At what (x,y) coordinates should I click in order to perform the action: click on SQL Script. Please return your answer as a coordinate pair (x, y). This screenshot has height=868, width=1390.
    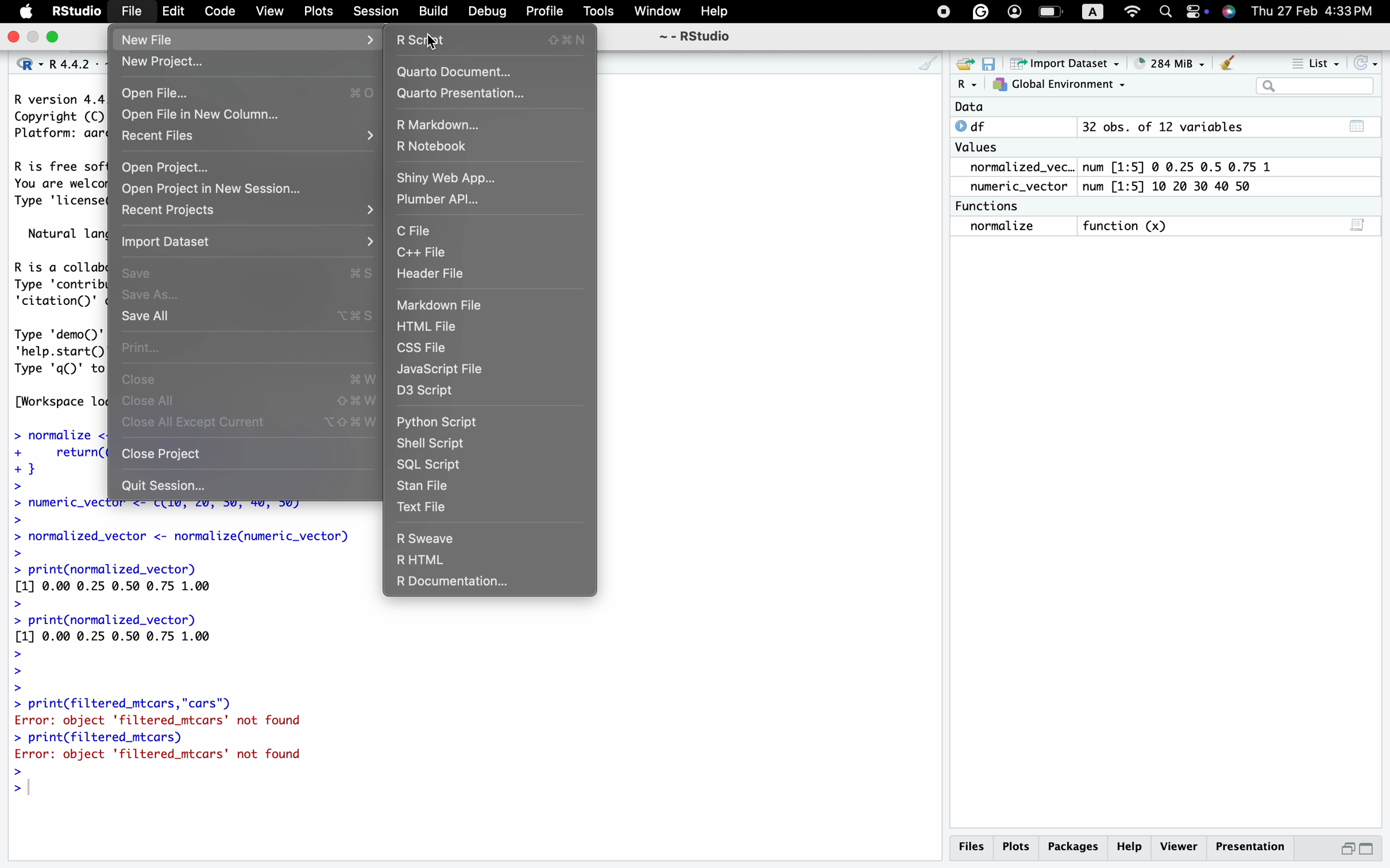
    Looking at the image, I should click on (430, 465).